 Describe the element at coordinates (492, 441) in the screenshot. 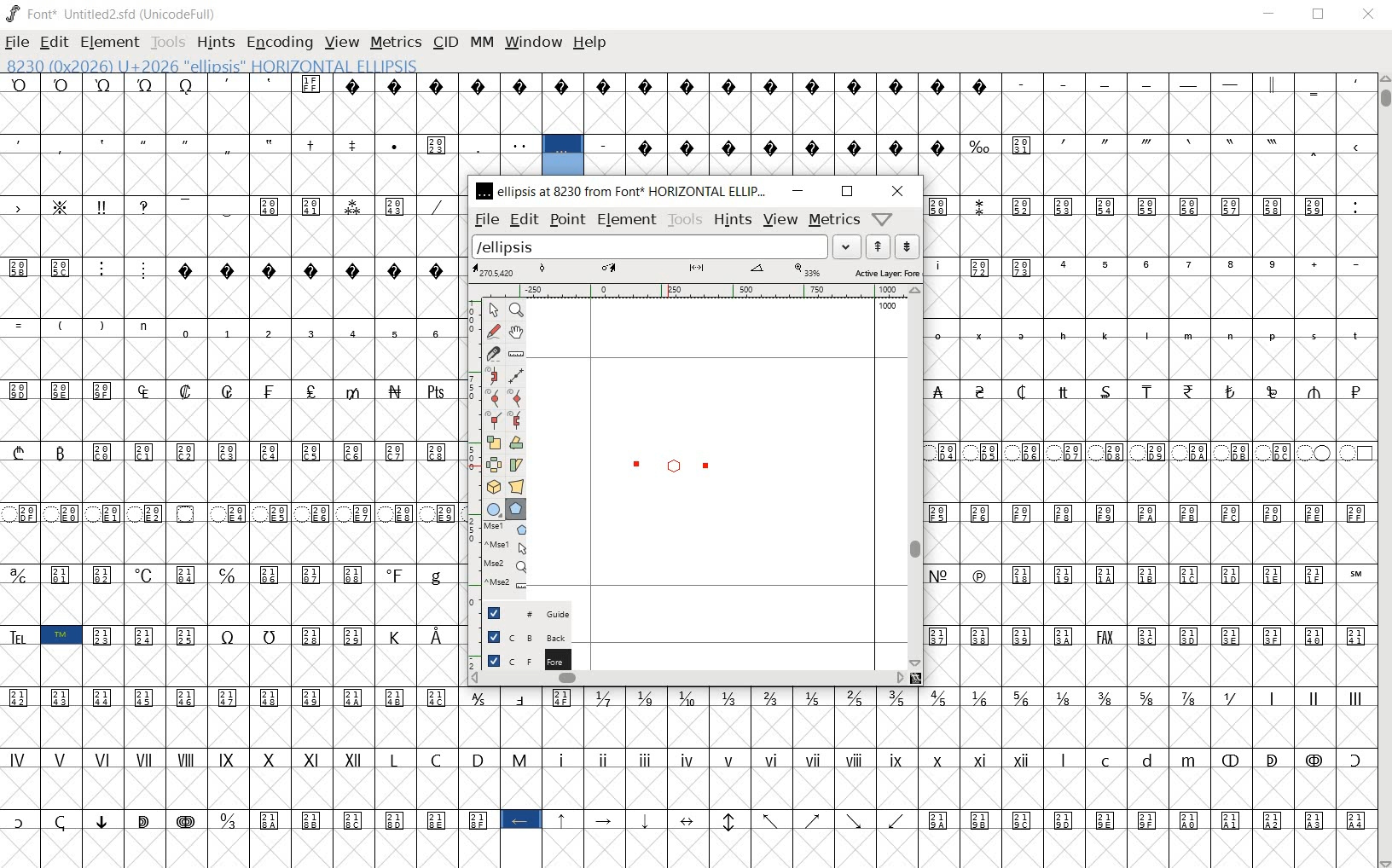

I see `scale the selection` at that location.